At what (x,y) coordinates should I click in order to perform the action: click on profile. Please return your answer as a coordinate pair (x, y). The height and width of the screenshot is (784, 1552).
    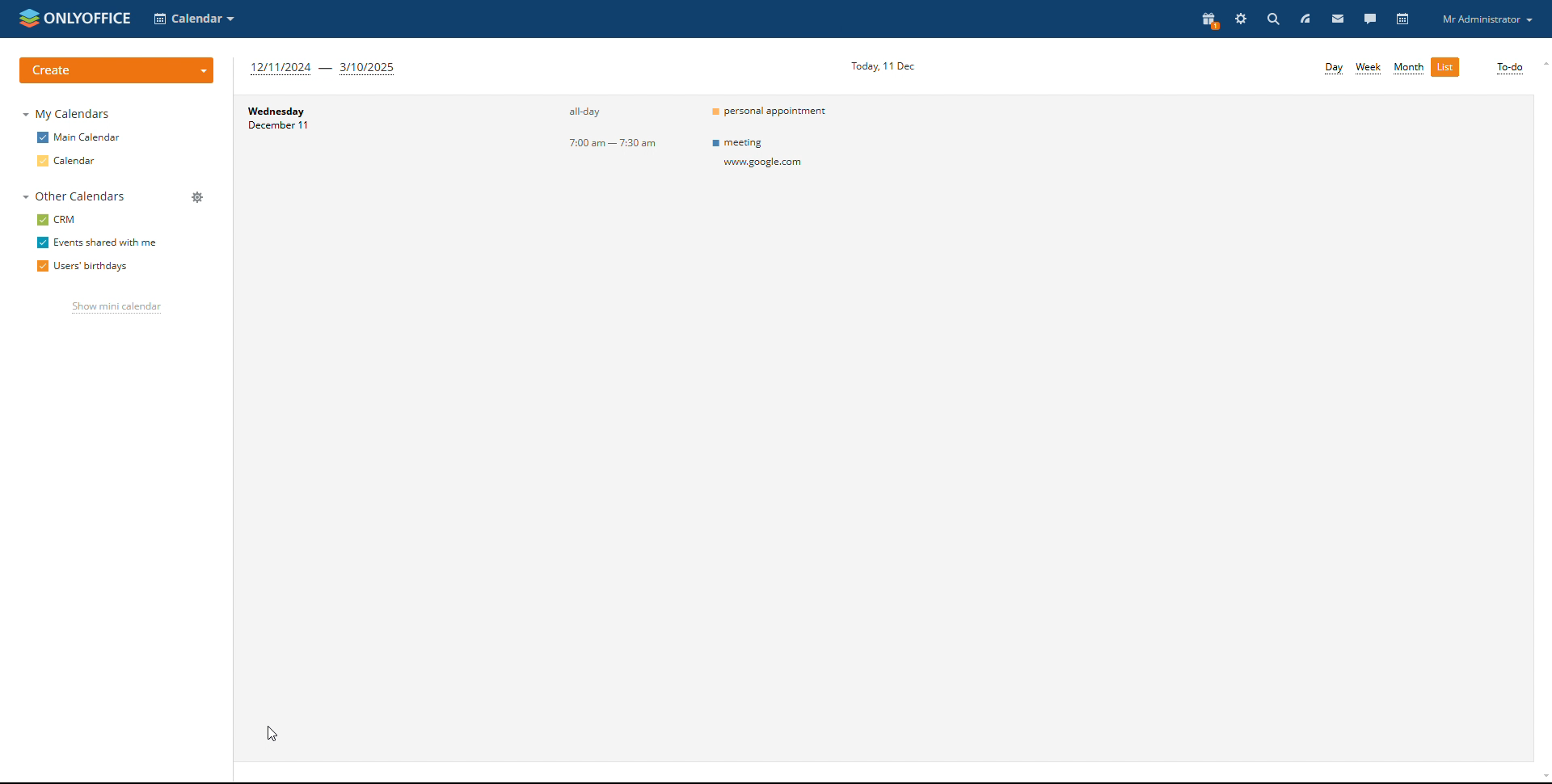
    Looking at the image, I should click on (1487, 19).